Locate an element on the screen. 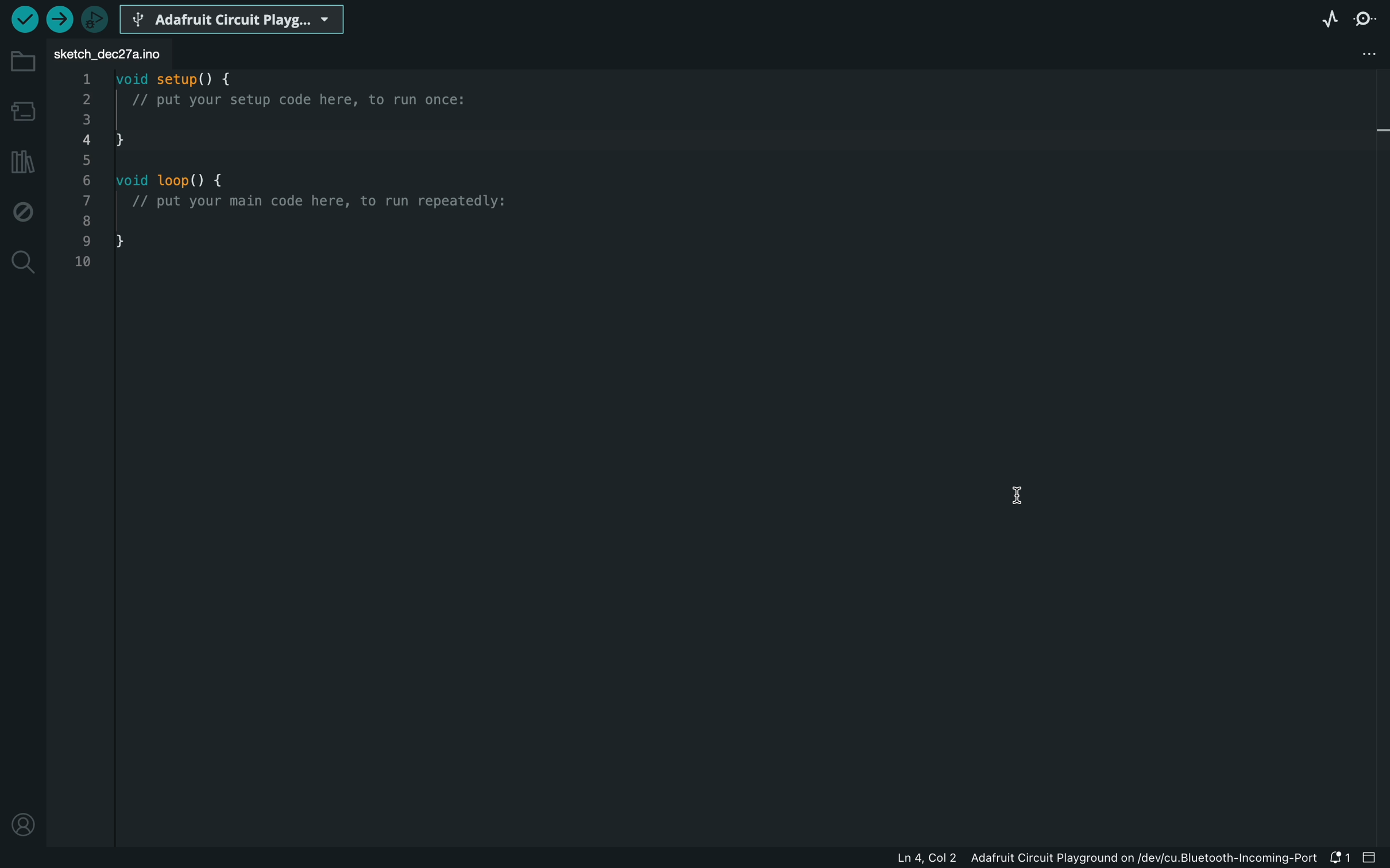 The height and width of the screenshot is (868, 1390). verify is located at coordinates (25, 21).